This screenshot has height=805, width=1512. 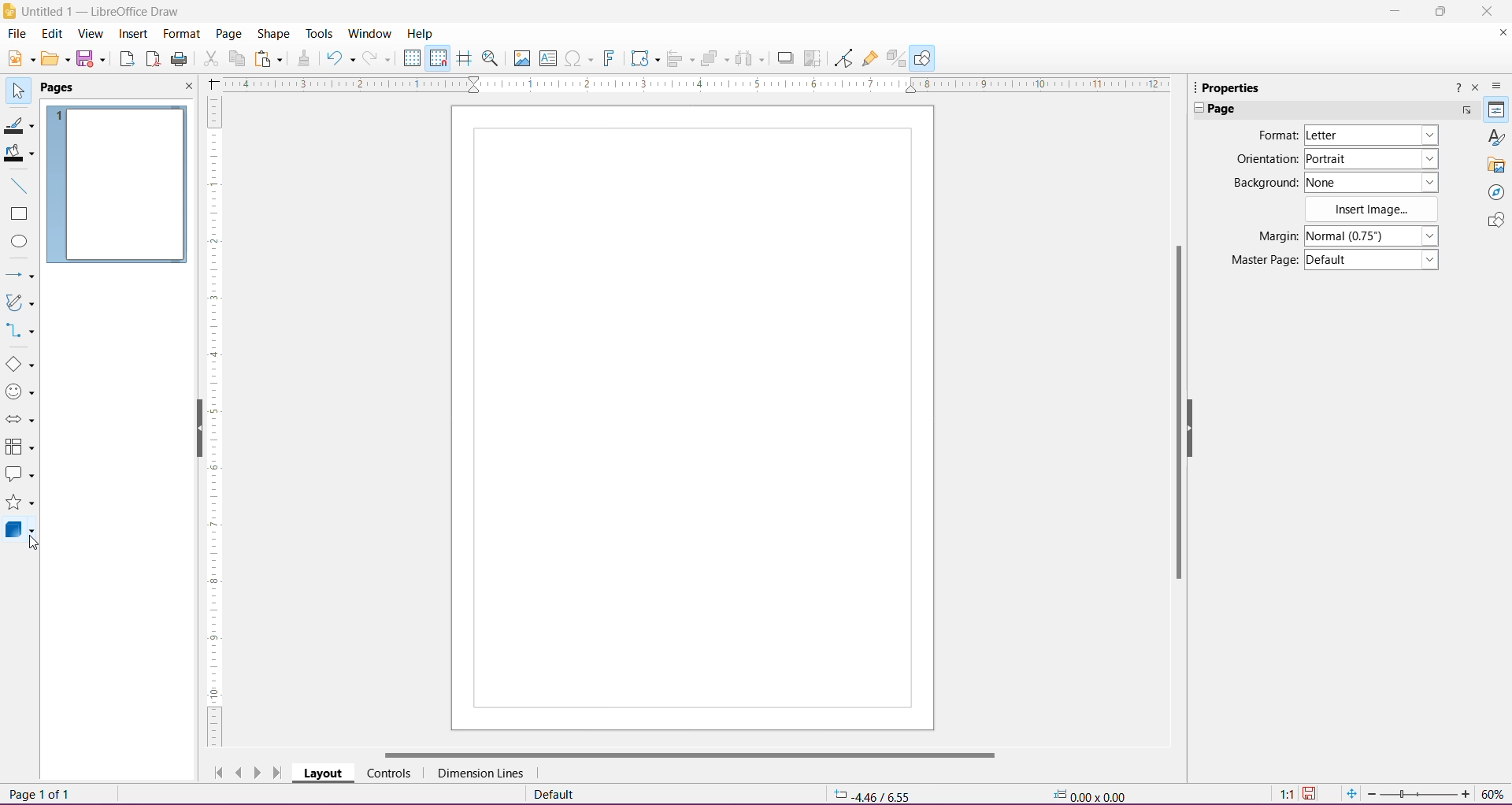 I want to click on Stars and Banners, so click(x=20, y=504).